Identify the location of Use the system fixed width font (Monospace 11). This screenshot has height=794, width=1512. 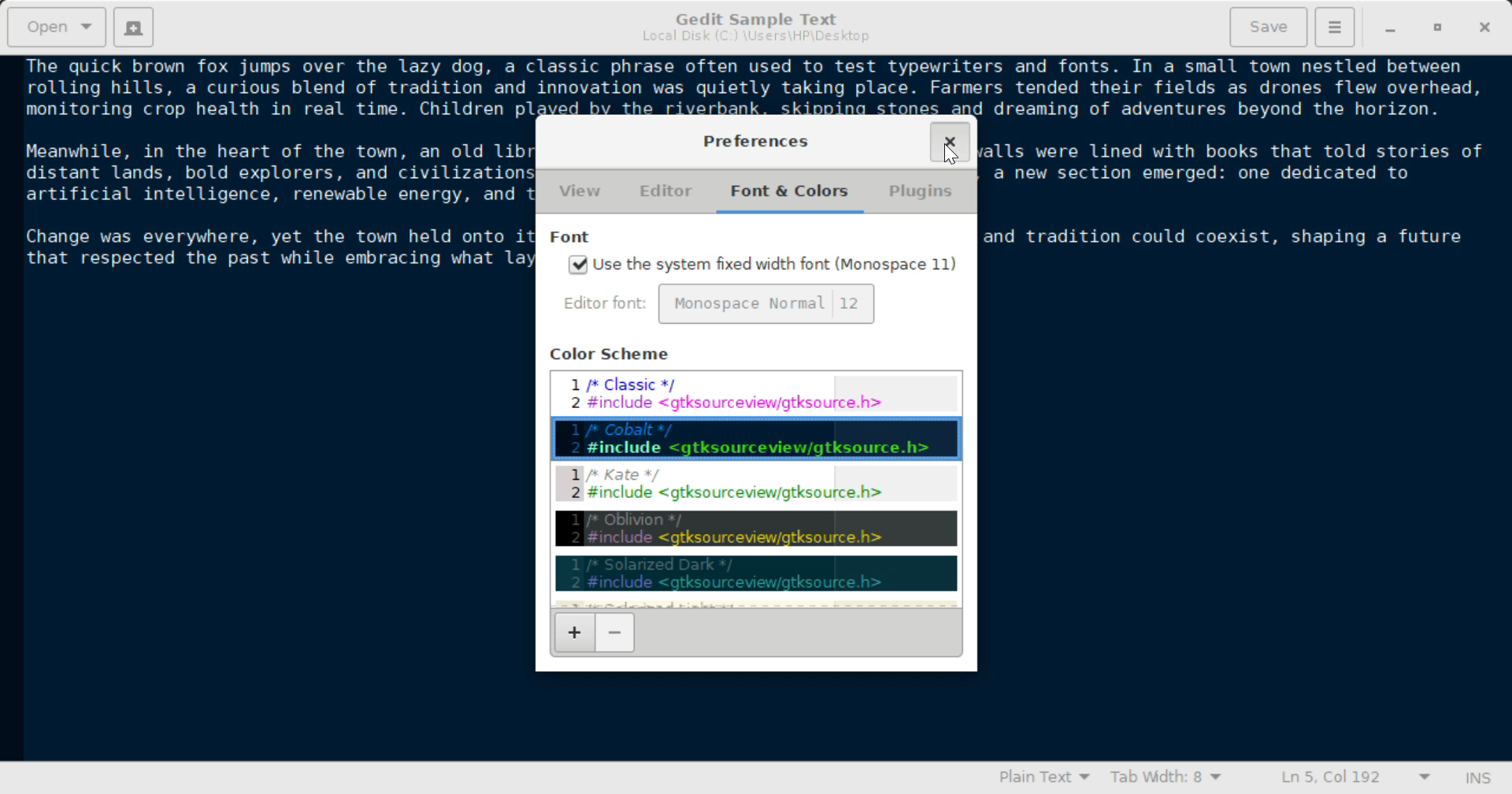
(764, 266).